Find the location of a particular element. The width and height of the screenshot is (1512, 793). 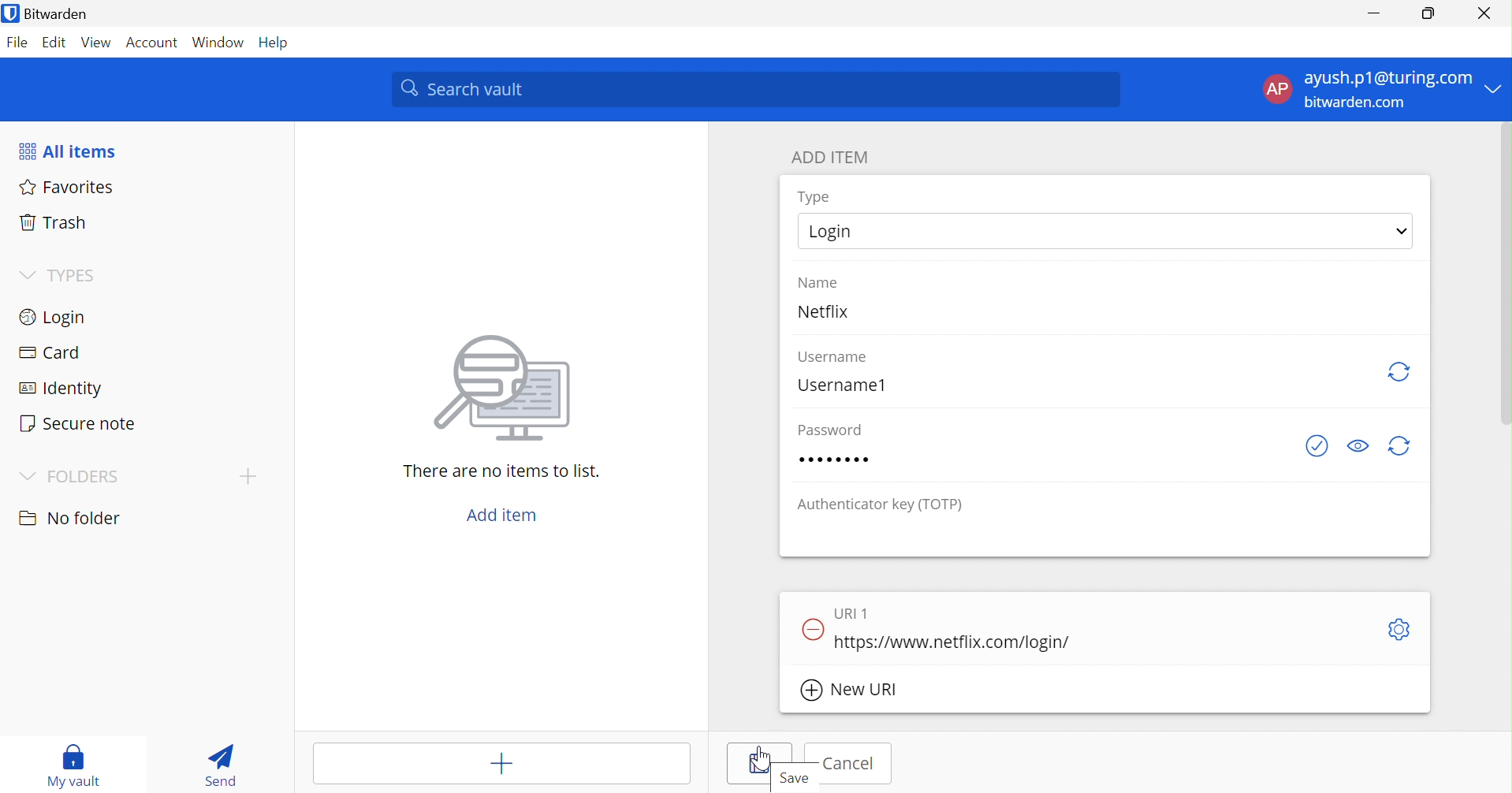

12345678 is located at coordinates (836, 459).